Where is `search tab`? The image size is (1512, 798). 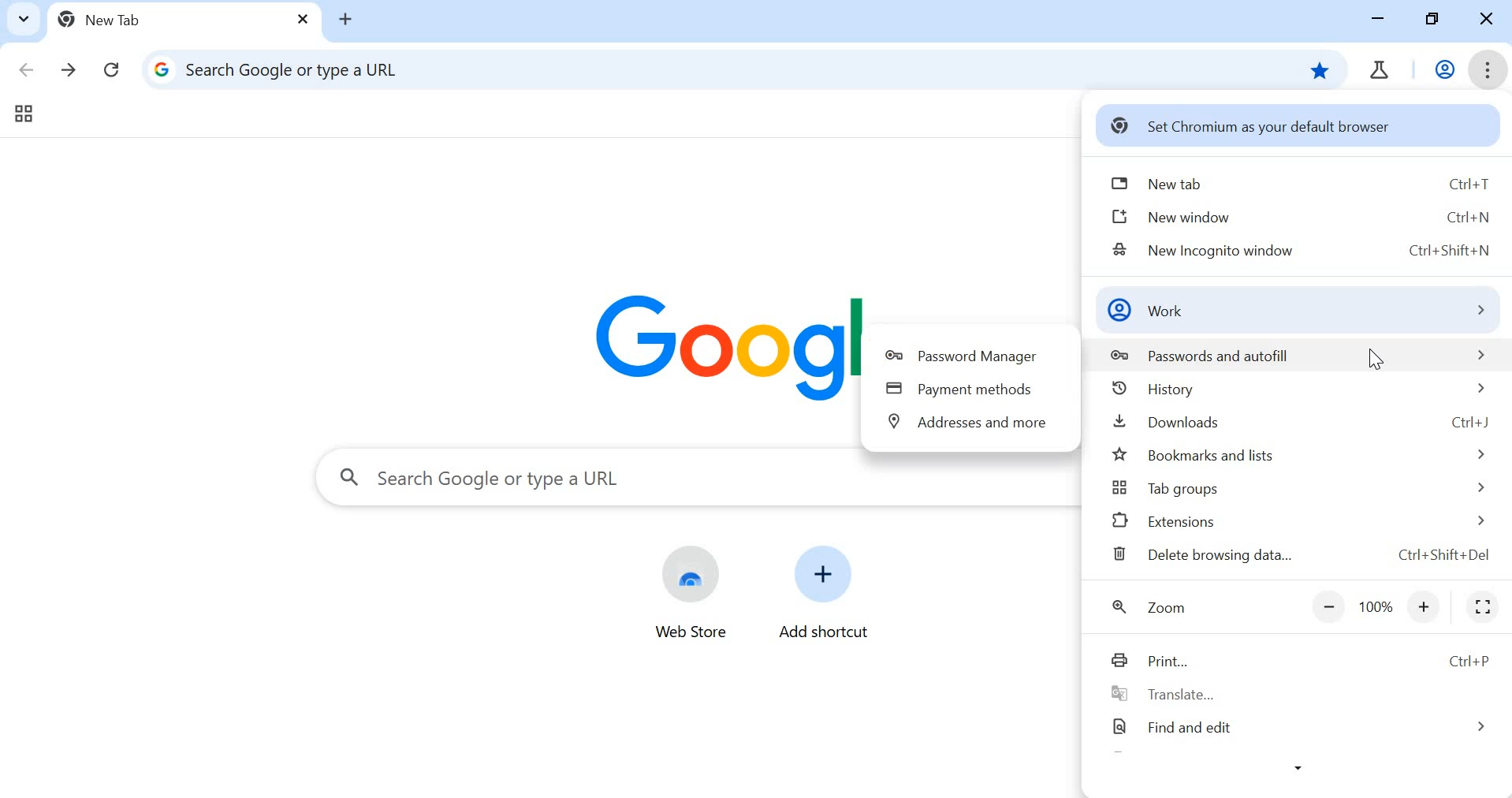
search tab is located at coordinates (691, 480).